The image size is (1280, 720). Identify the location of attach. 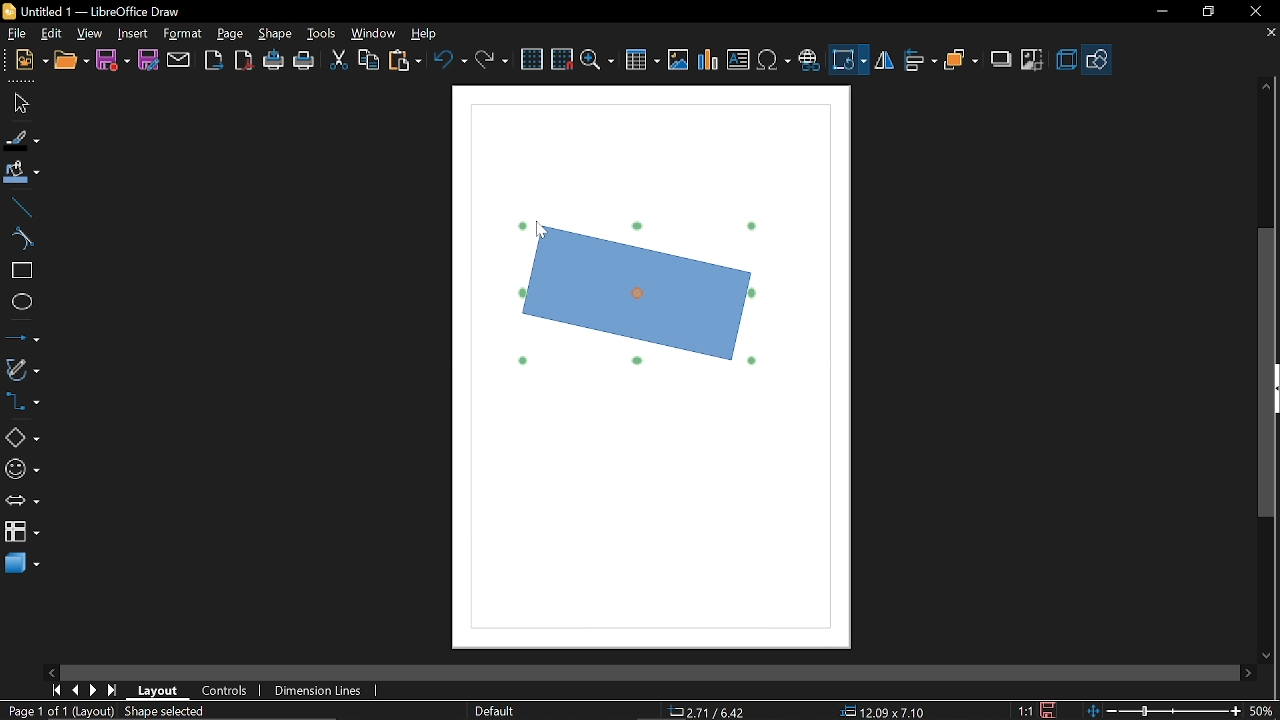
(179, 60).